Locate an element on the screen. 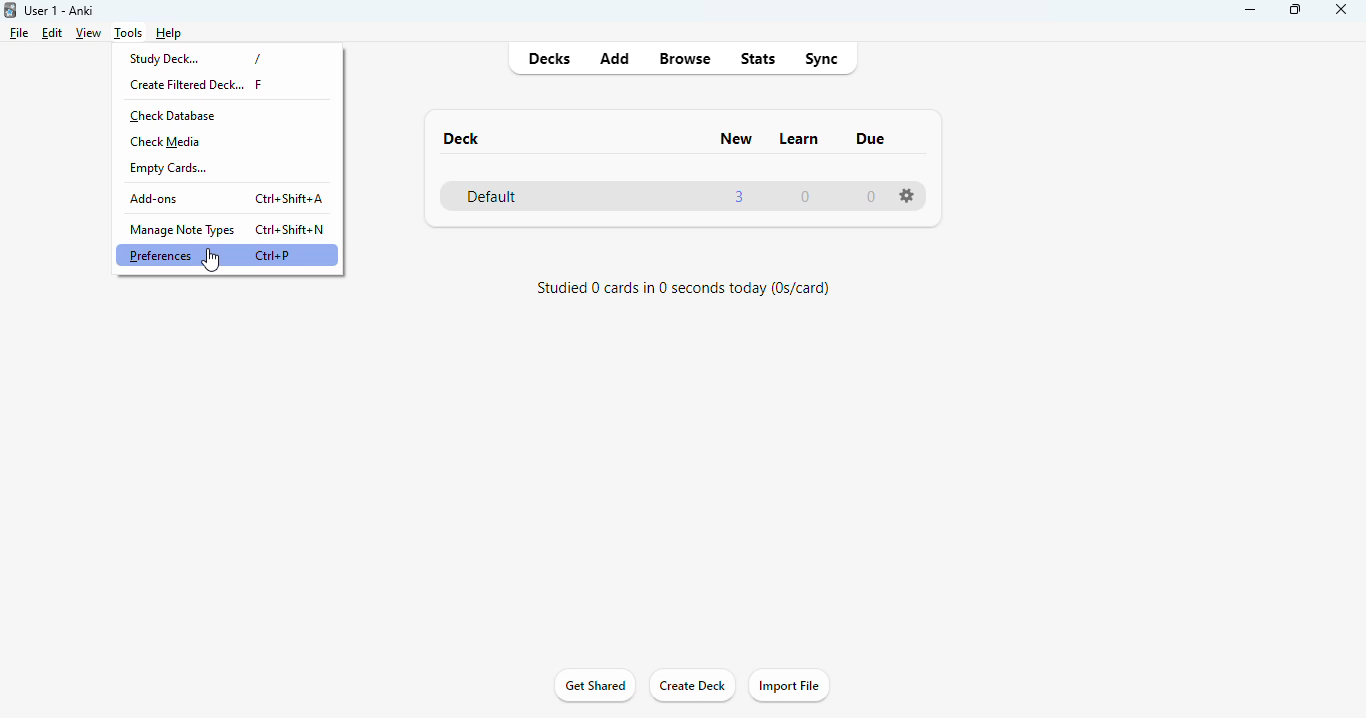 The width and height of the screenshot is (1366, 718). import file is located at coordinates (788, 685).